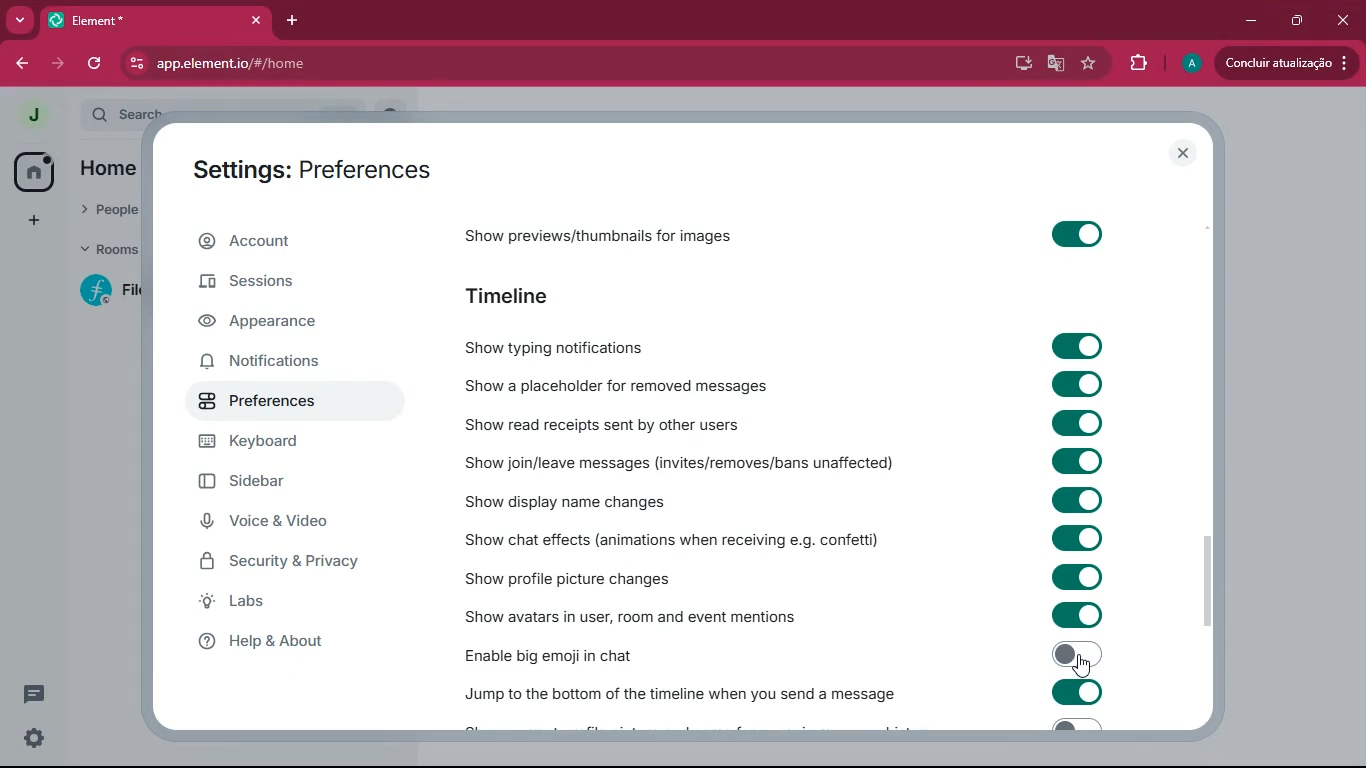  What do you see at coordinates (1343, 19) in the screenshot?
I see `close` at bounding box center [1343, 19].